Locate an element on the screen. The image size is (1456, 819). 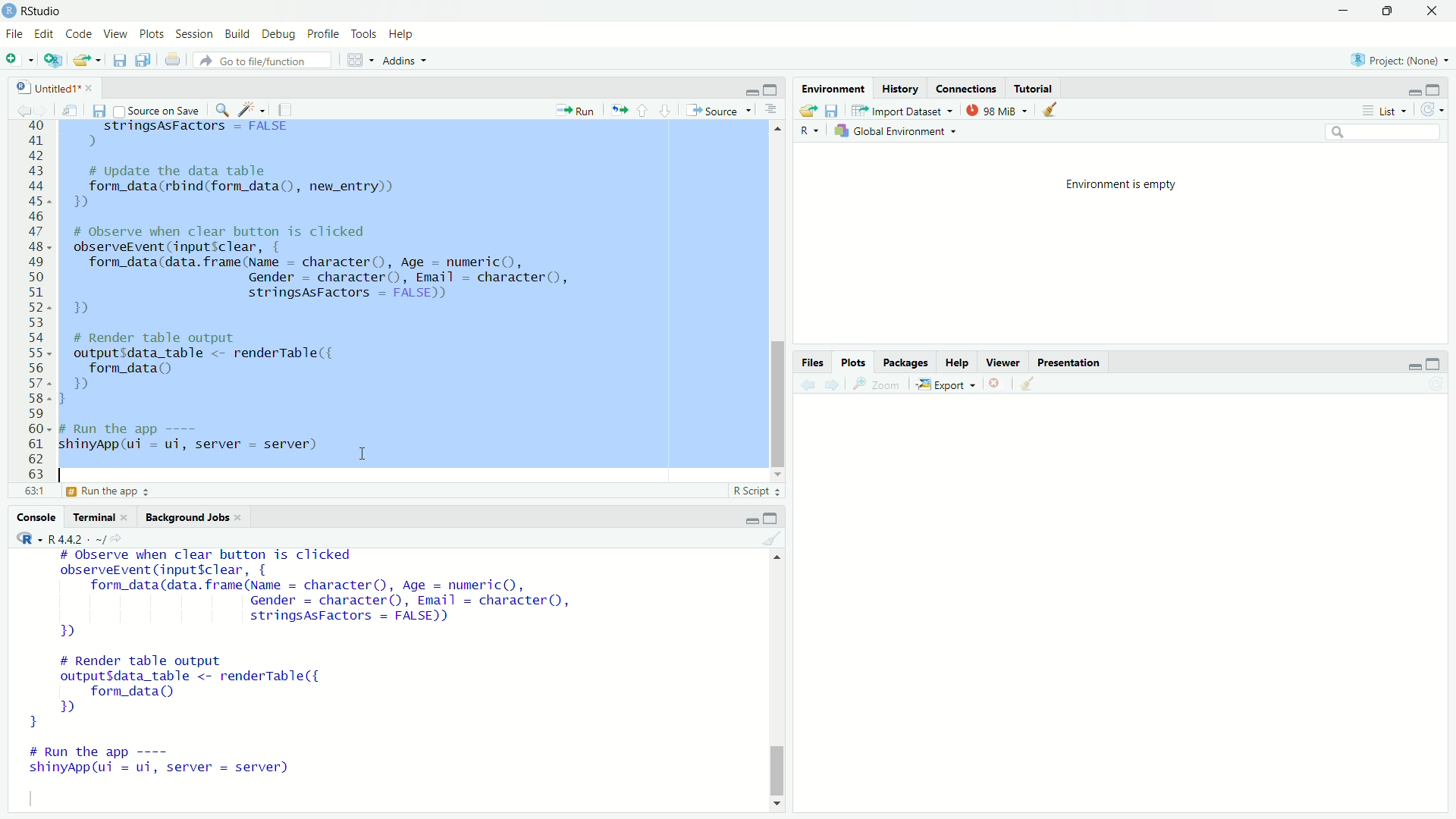
maximize is located at coordinates (1441, 88).